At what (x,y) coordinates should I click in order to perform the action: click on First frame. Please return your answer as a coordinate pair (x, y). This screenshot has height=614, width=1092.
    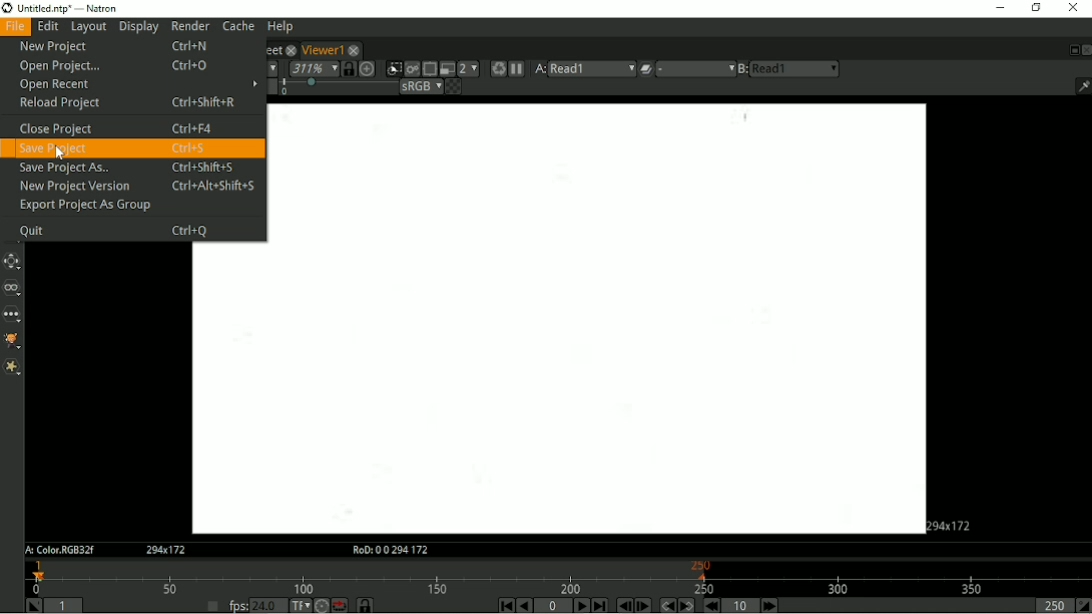
    Looking at the image, I should click on (505, 606).